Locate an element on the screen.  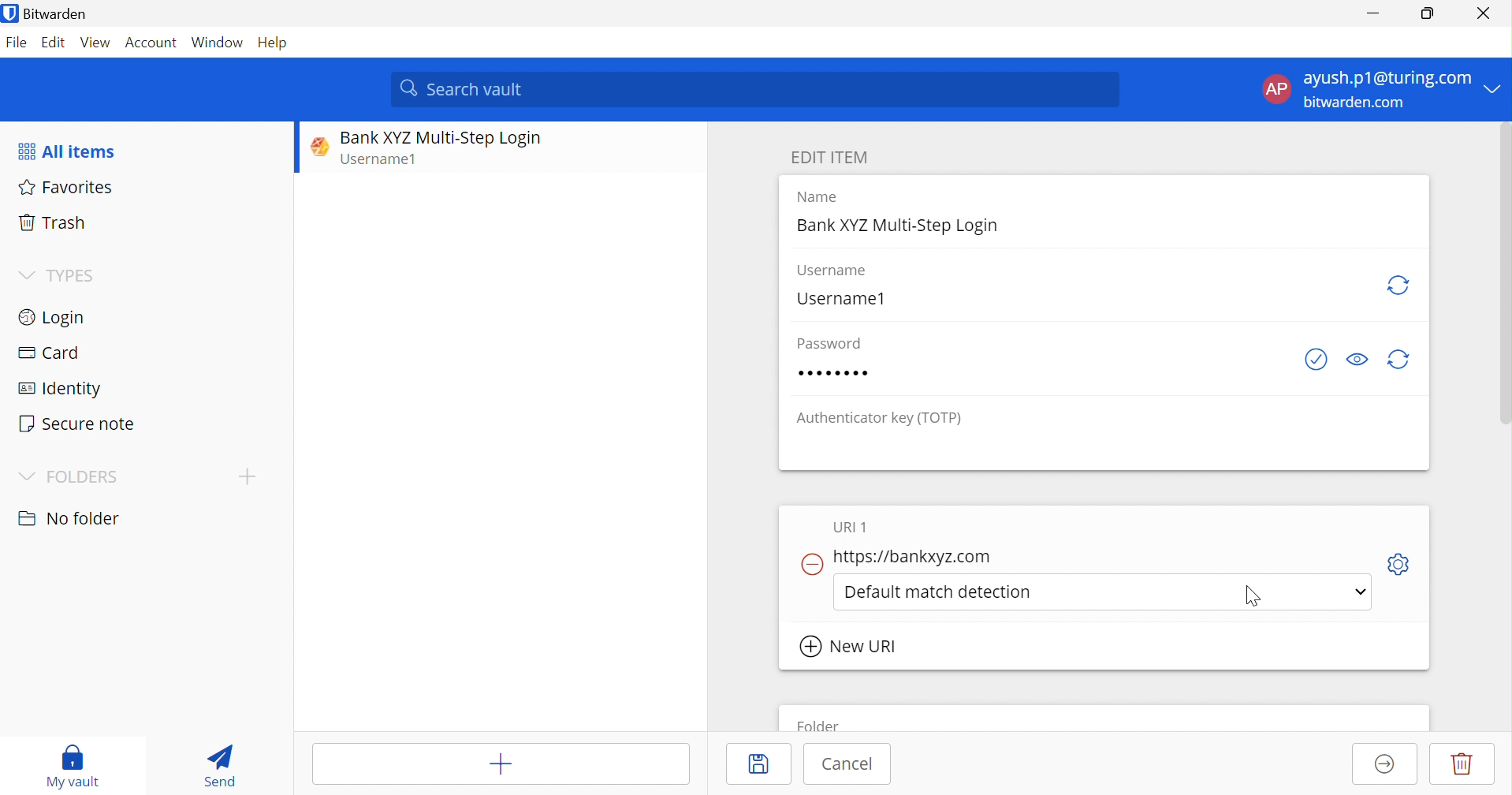
Default match detection is located at coordinates (942, 590).